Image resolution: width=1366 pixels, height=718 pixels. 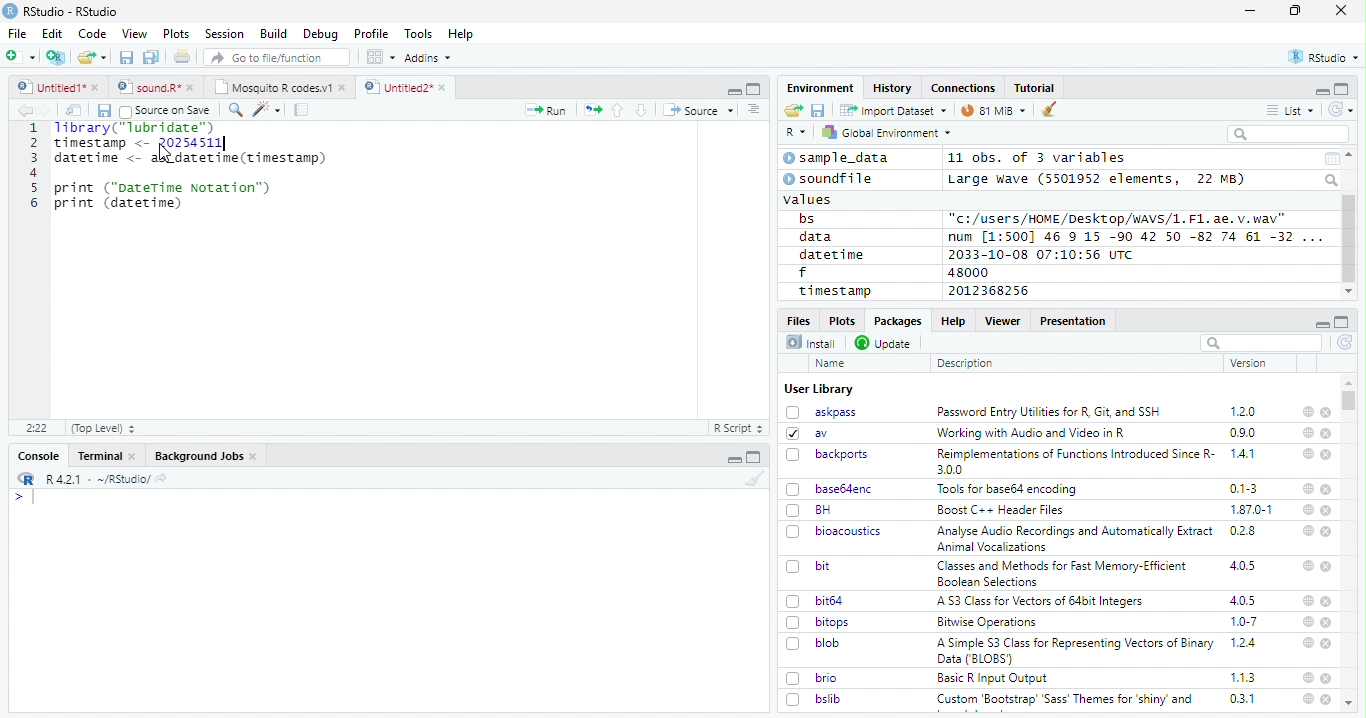 I want to click on Load workspace, so click(x=794, y=111).